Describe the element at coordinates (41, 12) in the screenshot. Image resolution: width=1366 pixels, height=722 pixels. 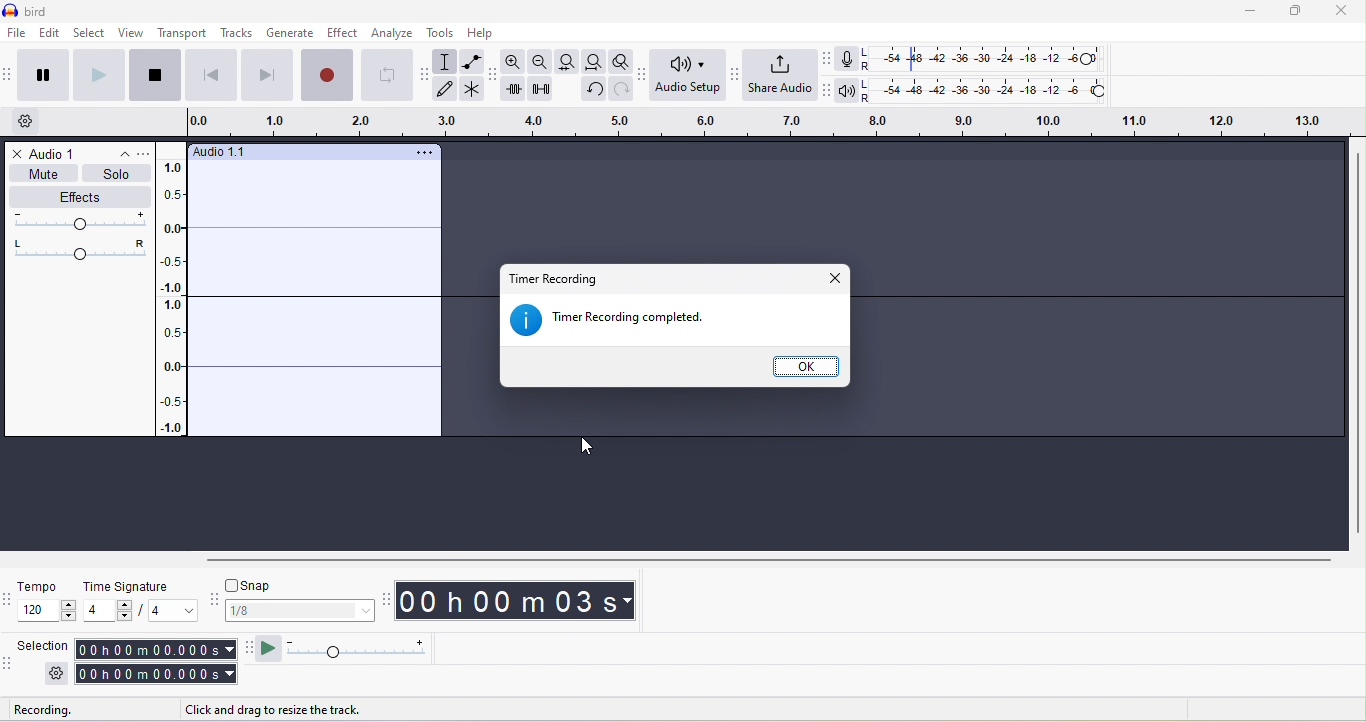
I see `title` at that location.